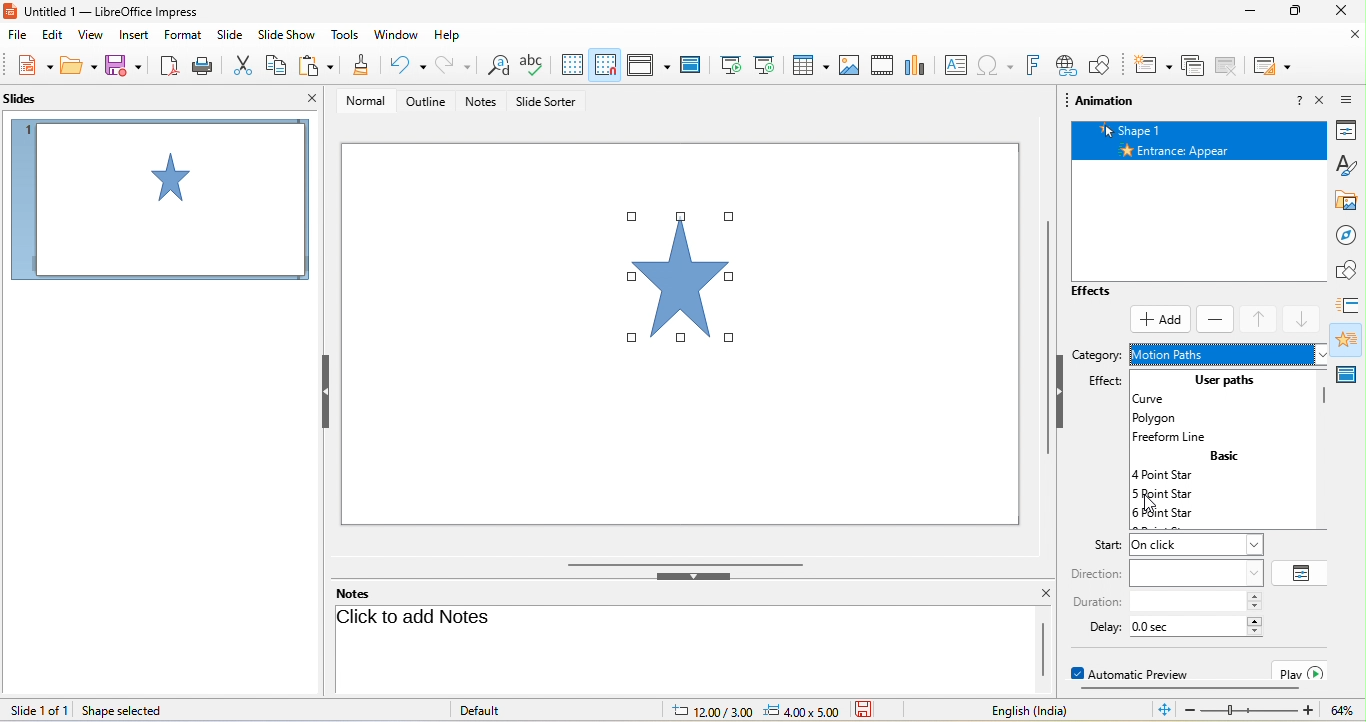 This screenshot has width=1366, height=722. I want to click on effect, so click(1100, 383).